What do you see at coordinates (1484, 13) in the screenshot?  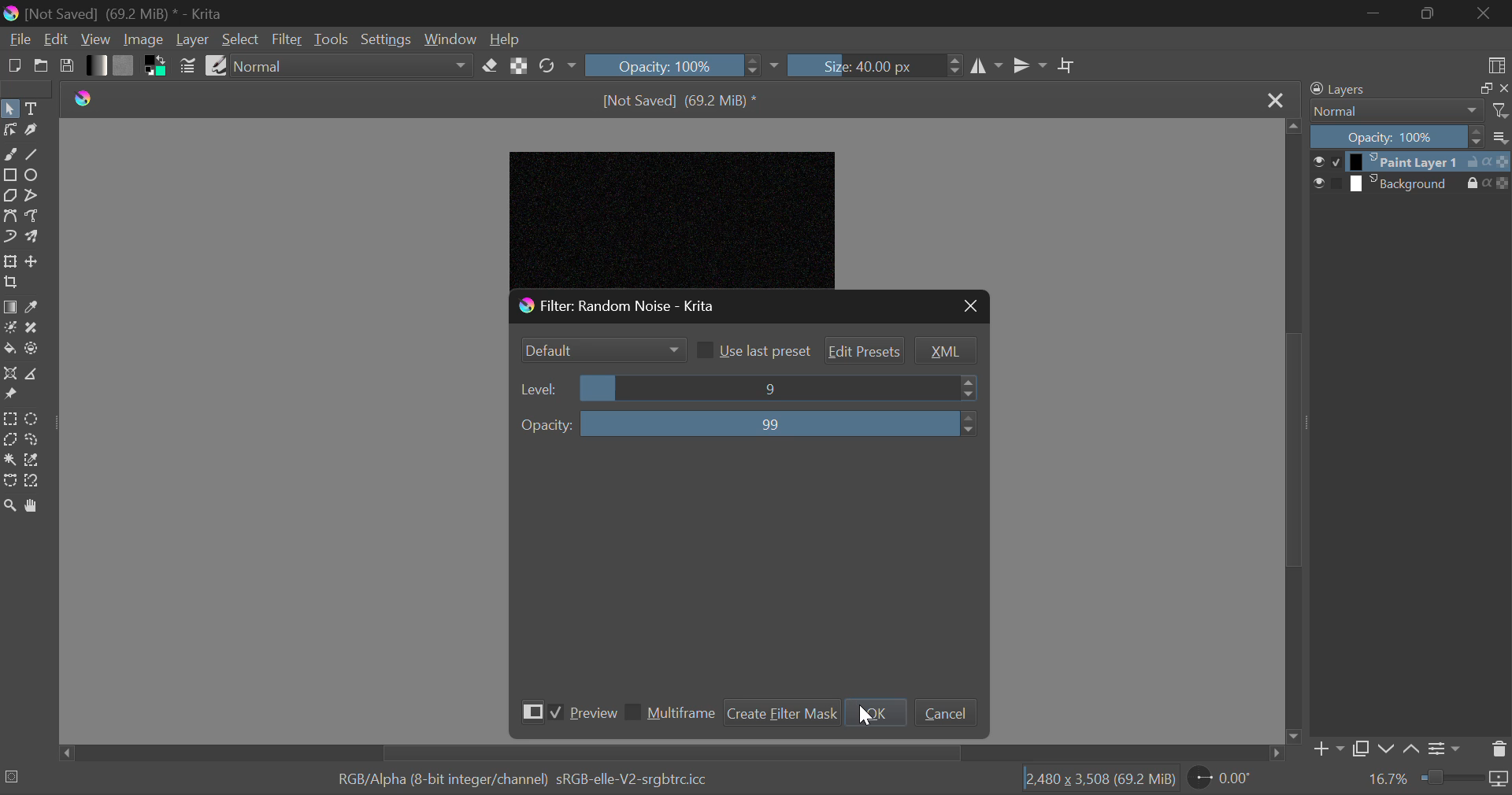 I see `Close` at bounding box center [1484, 13].